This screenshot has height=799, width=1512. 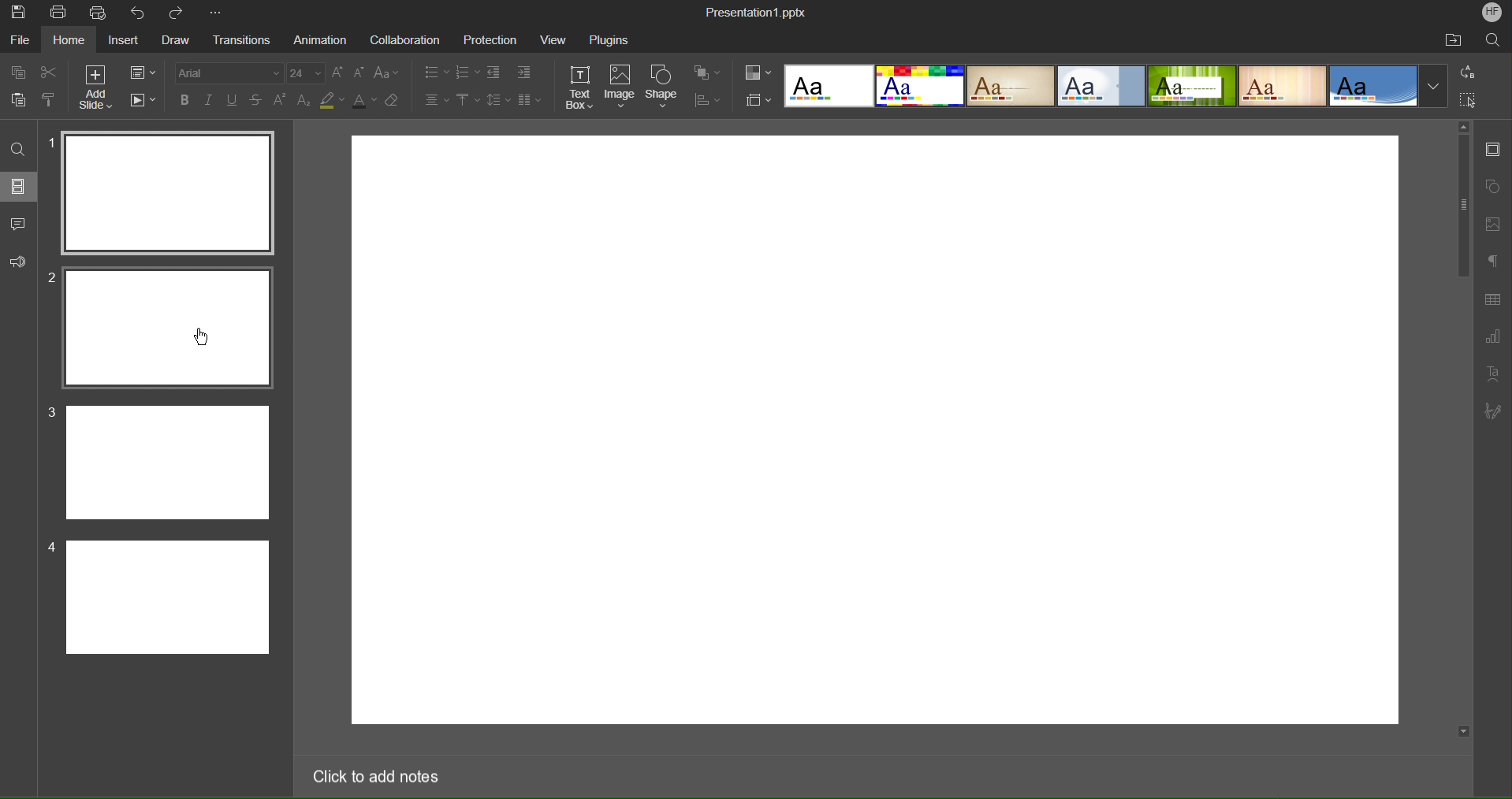 What do you see at coordinates (1490, 13) in the screenshot?
I see `Account` at bounding box center [1490, 13].